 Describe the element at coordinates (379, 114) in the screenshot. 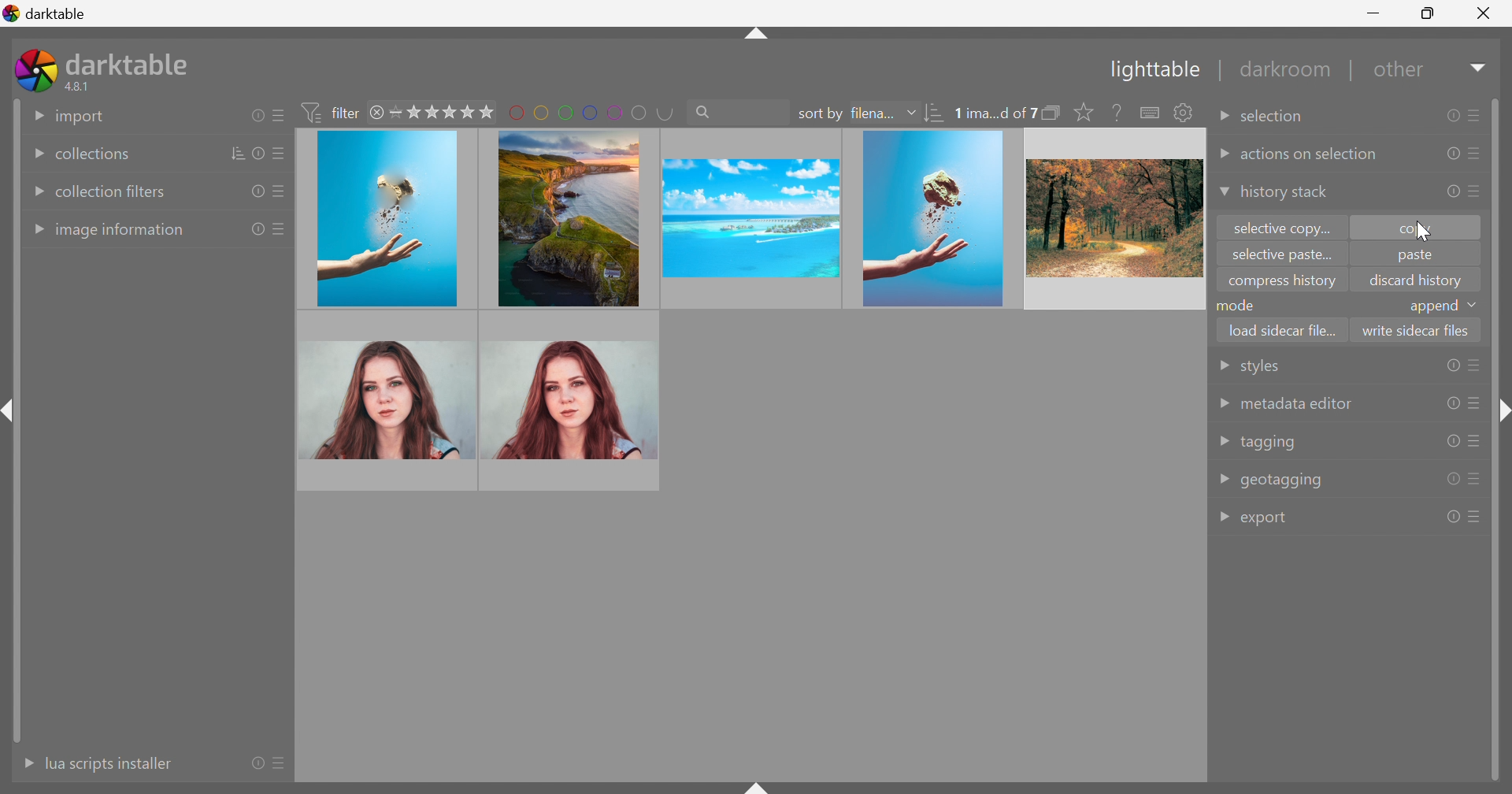

I see `close` at that location.